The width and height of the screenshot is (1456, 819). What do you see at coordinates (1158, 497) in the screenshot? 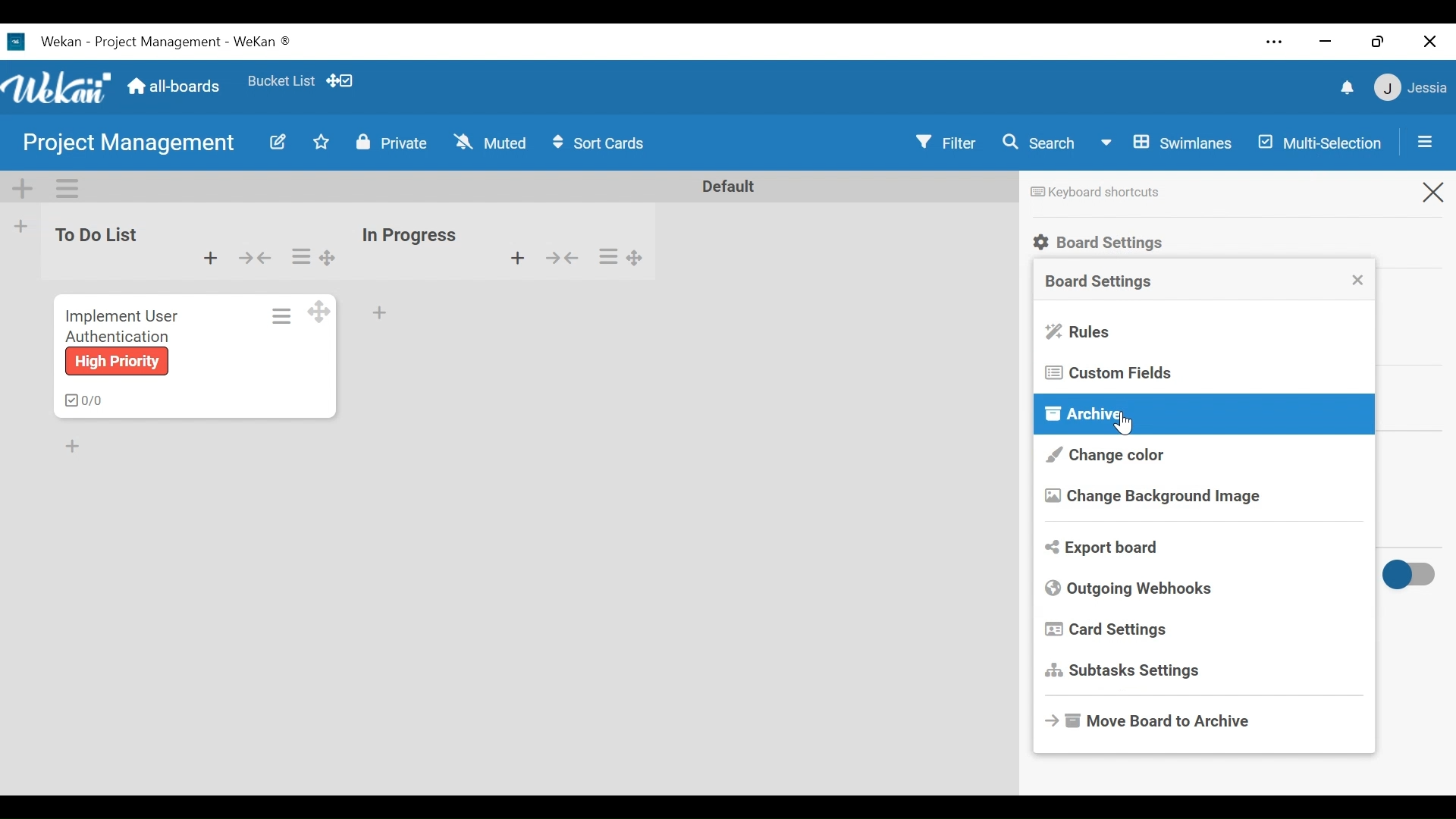
I see `Change Background image` at bounding box center [1158, 497].